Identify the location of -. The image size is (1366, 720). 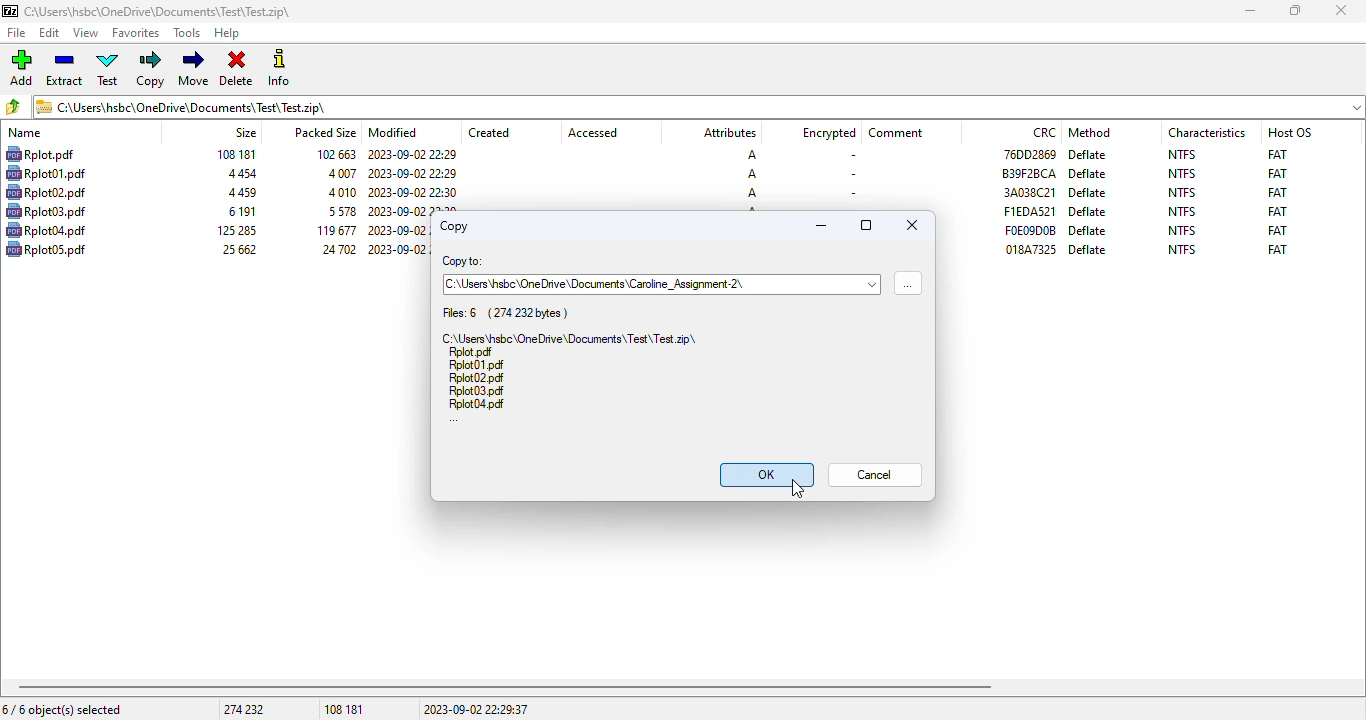
(850, 156).